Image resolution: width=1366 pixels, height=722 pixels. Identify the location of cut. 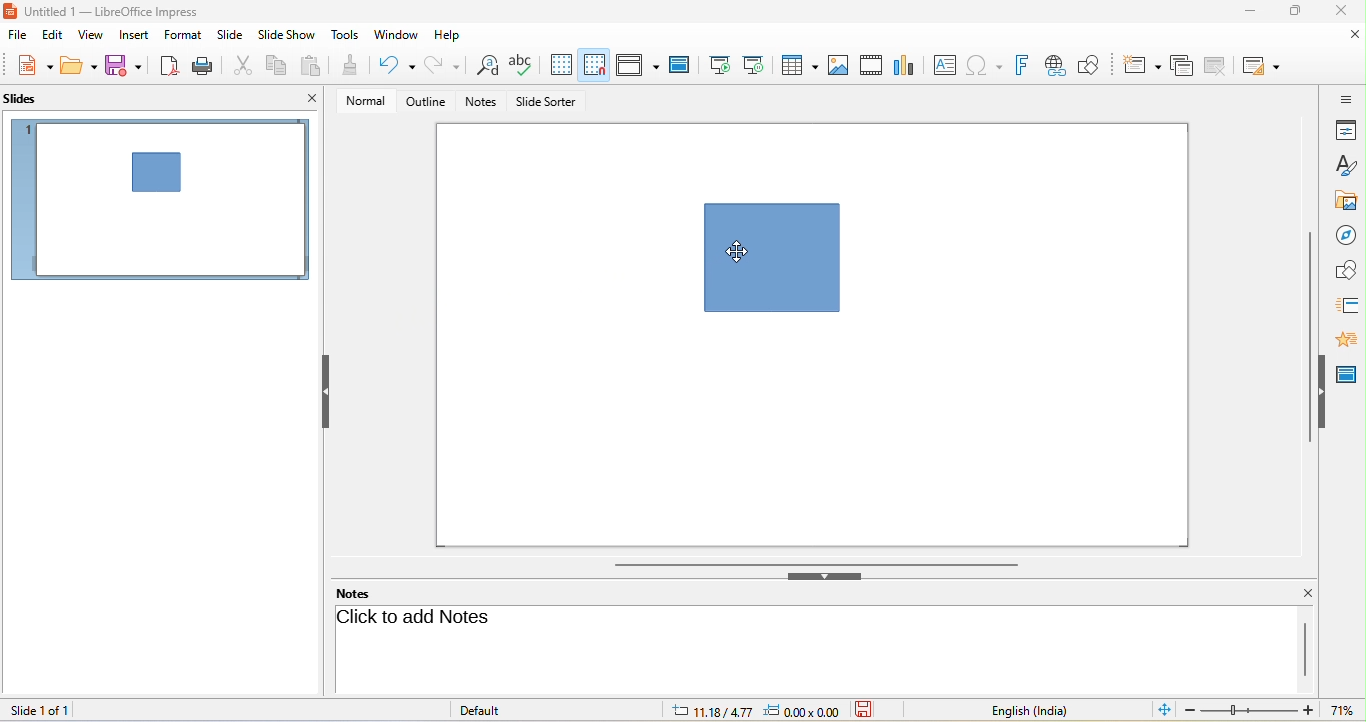
(240, 65).